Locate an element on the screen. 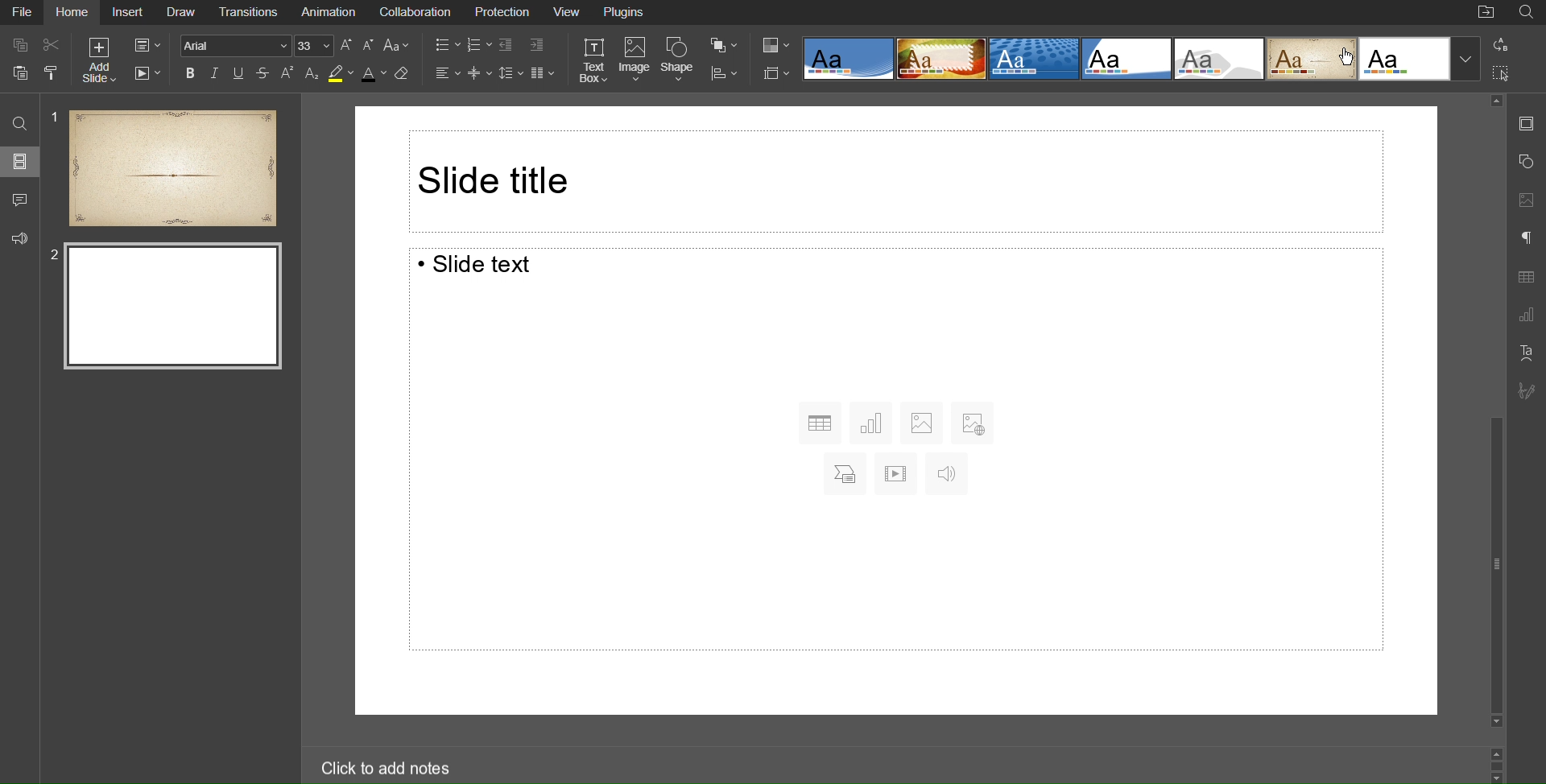  mouse pointer is located at coordinates (1347, 59).